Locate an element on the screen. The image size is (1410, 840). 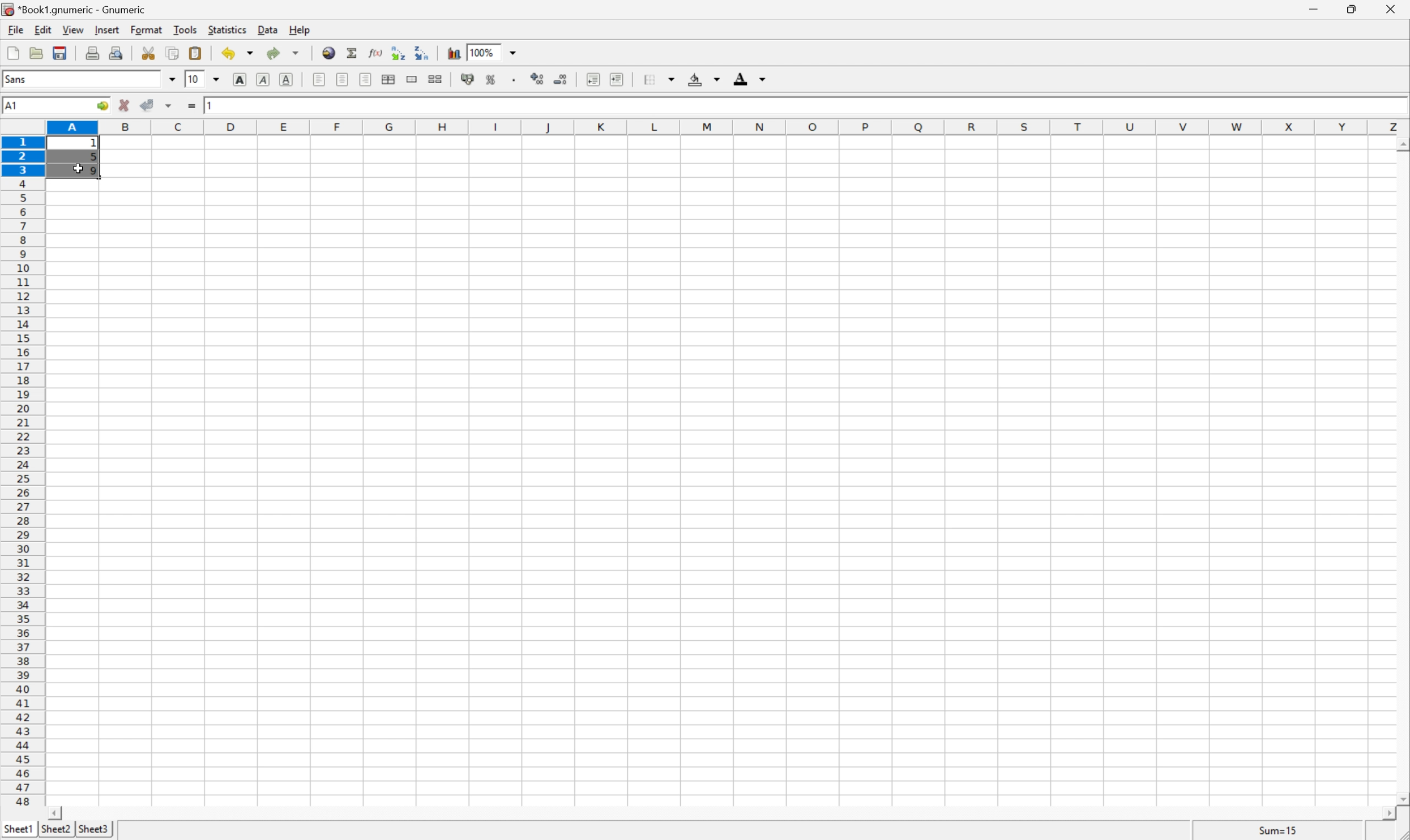
foreground is located at coordinates (748, 77).